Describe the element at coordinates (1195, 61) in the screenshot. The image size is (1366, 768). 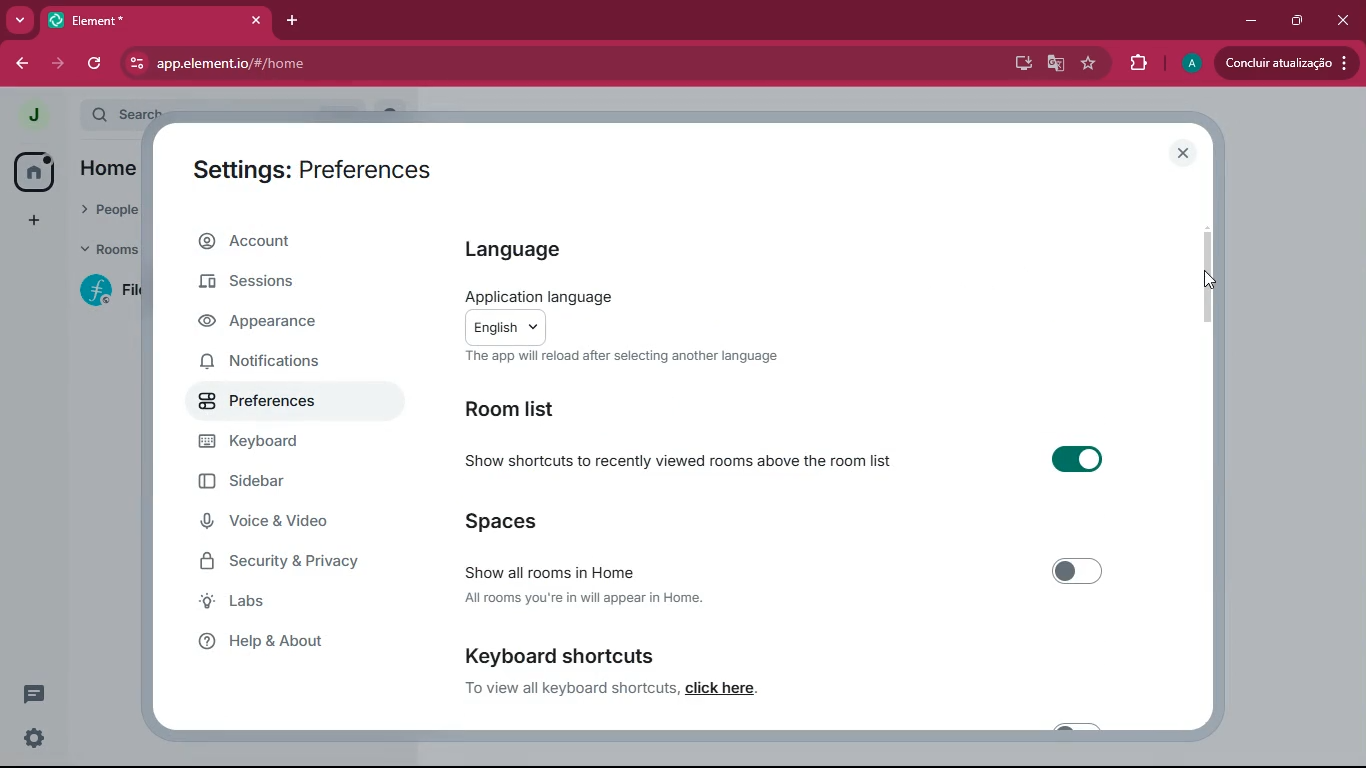
I see `profile picture` at that location.